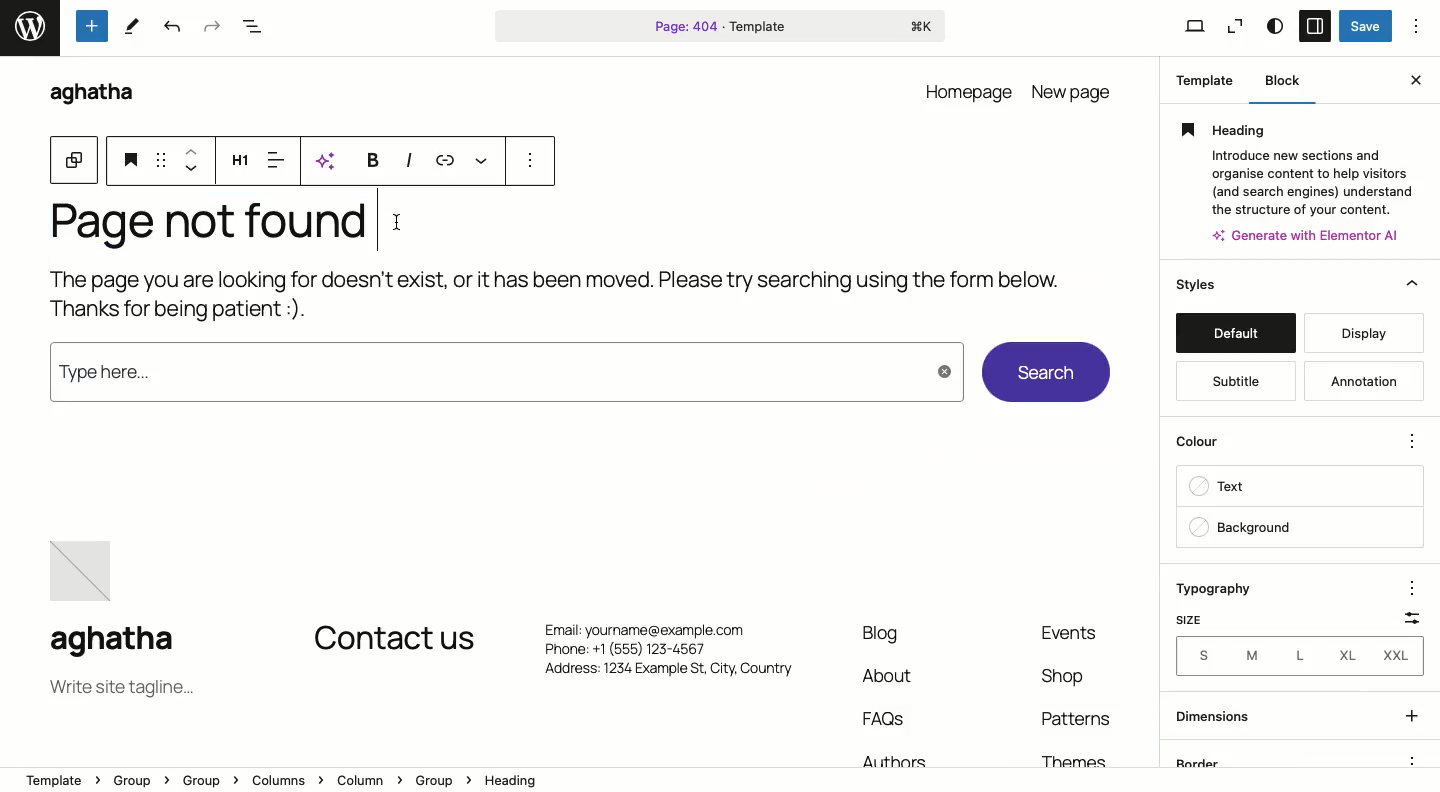  What do you see at coordinates (1055, 373) in the screenshot?
I see `Search` at bounding box center [1055, 373].